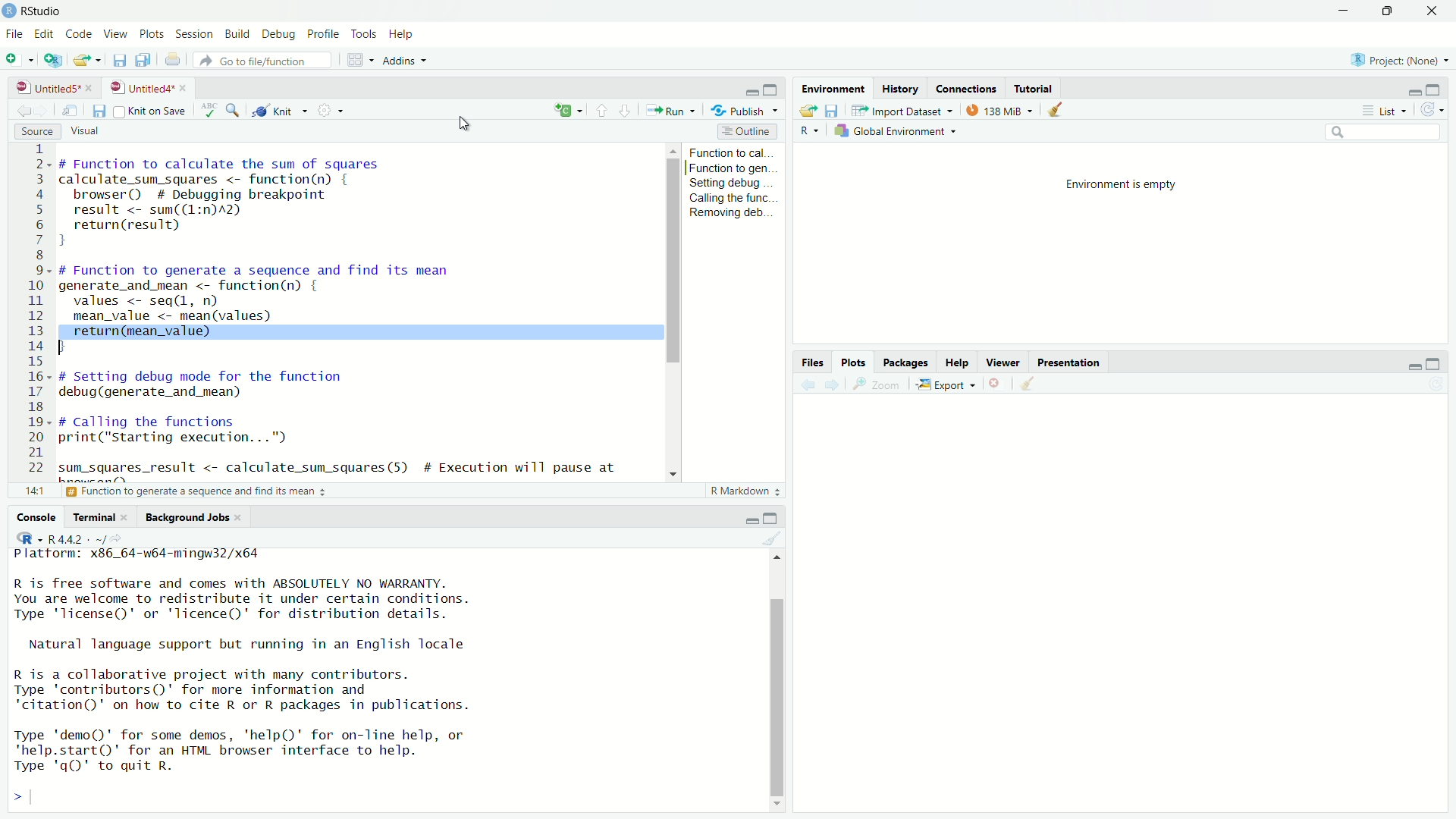 The width and height of the screenshot is (1456, 819). What do you see at coordinates (121, 538) in the screenshot?
I see `view the current working directory` at bounding box center [121, 538].